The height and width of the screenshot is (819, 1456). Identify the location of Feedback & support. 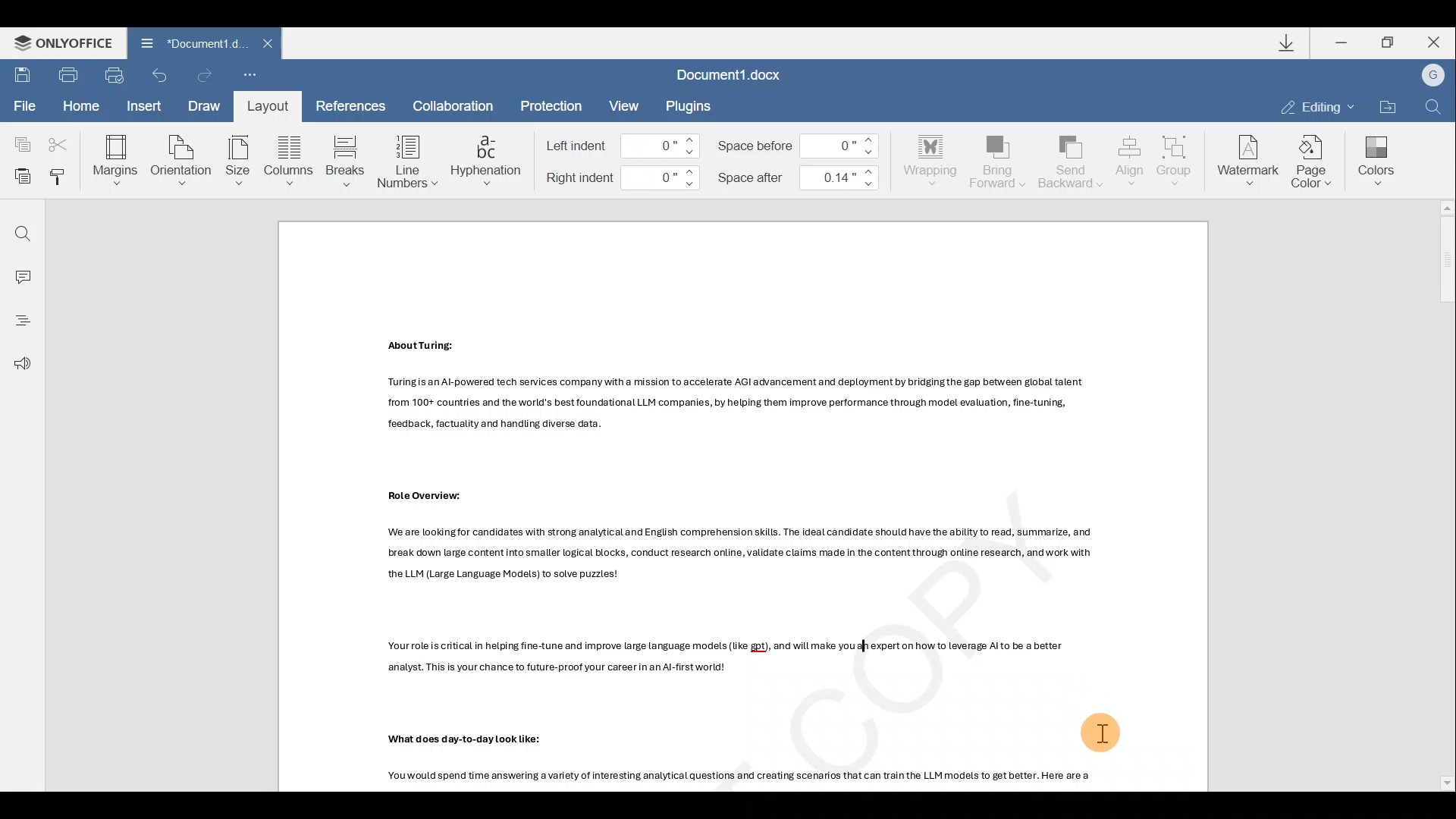
(21, 365).